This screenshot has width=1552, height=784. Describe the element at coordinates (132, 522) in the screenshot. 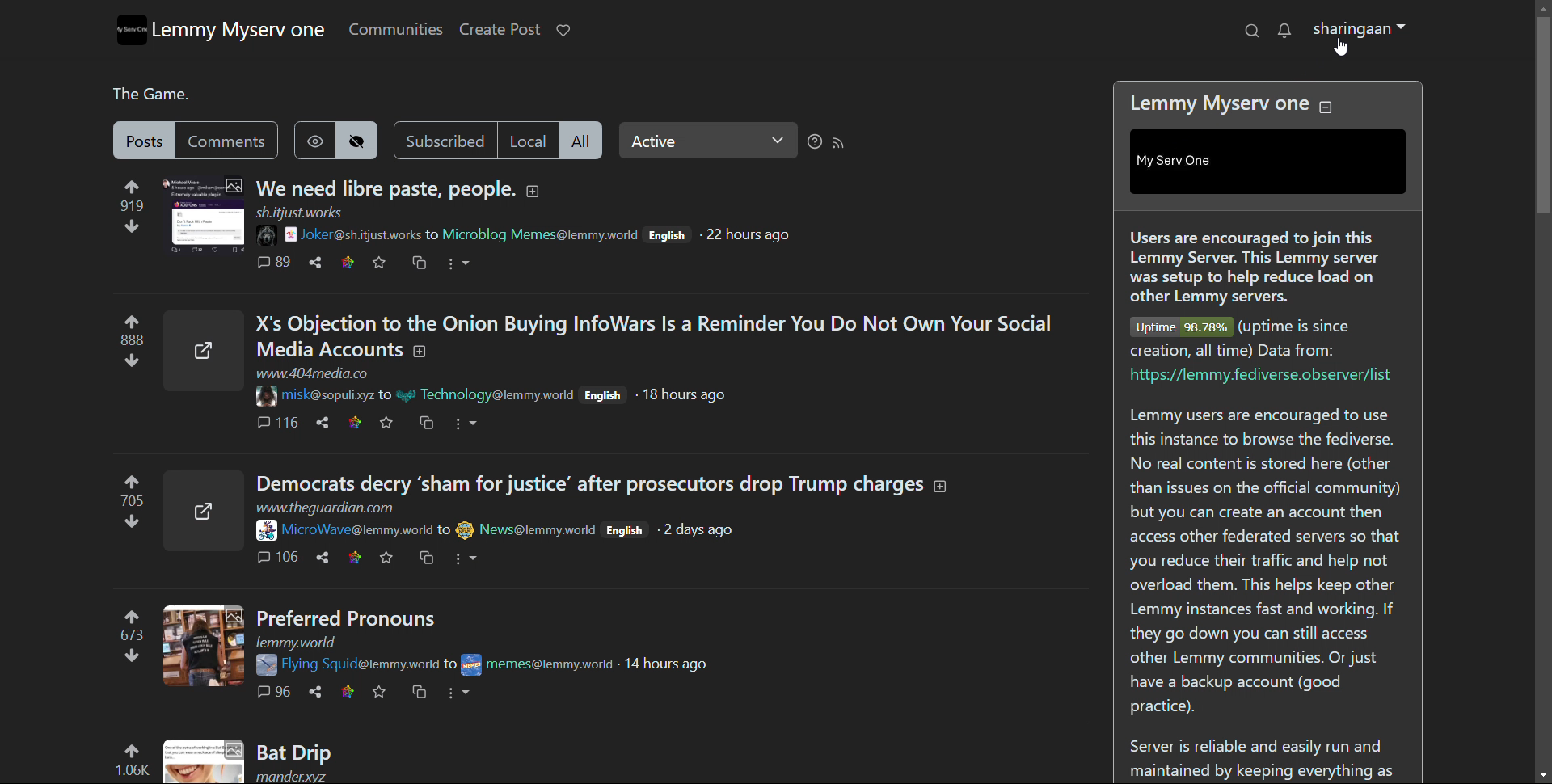

I see ` downvotes` at that location.